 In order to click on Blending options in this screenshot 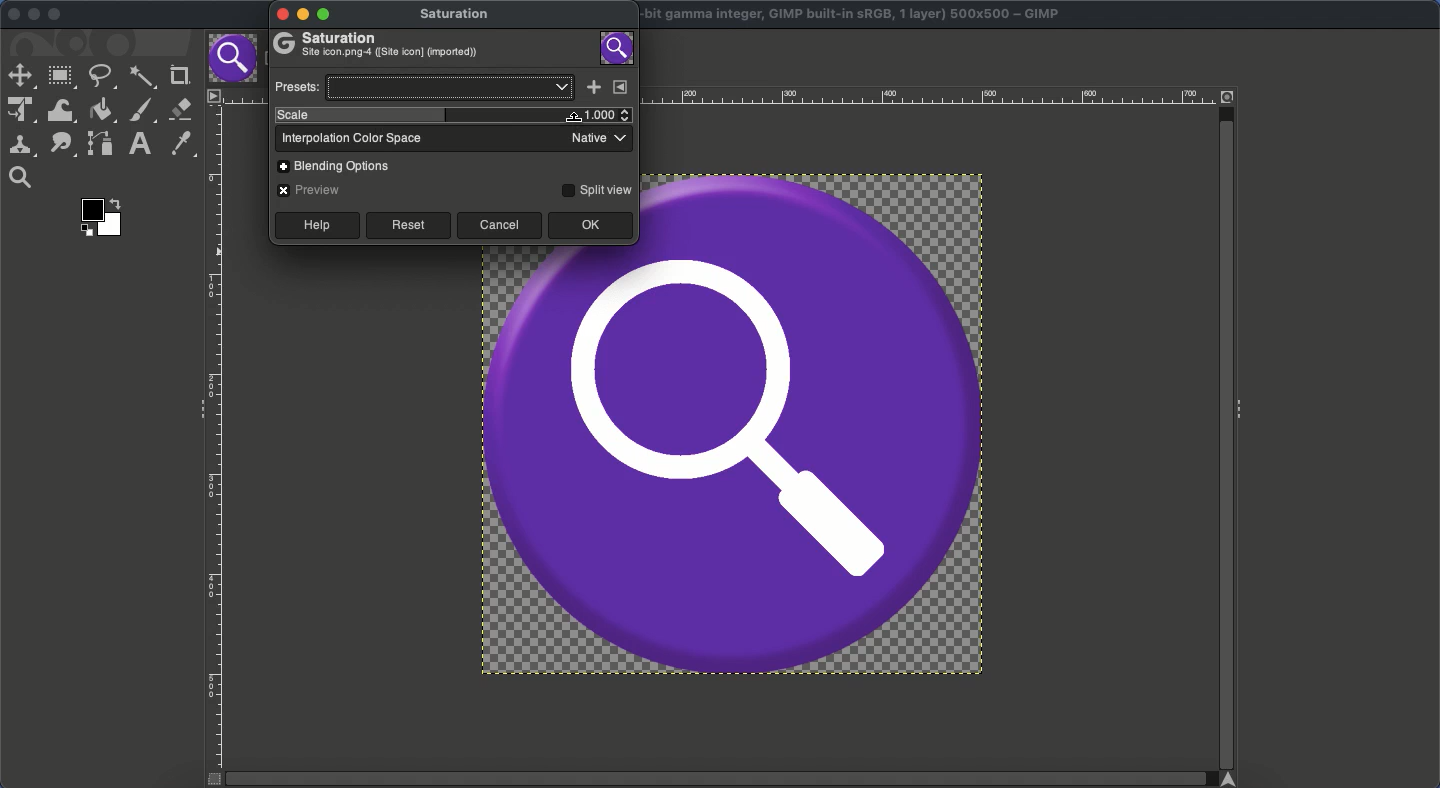, I will do `click(341, 165)`.